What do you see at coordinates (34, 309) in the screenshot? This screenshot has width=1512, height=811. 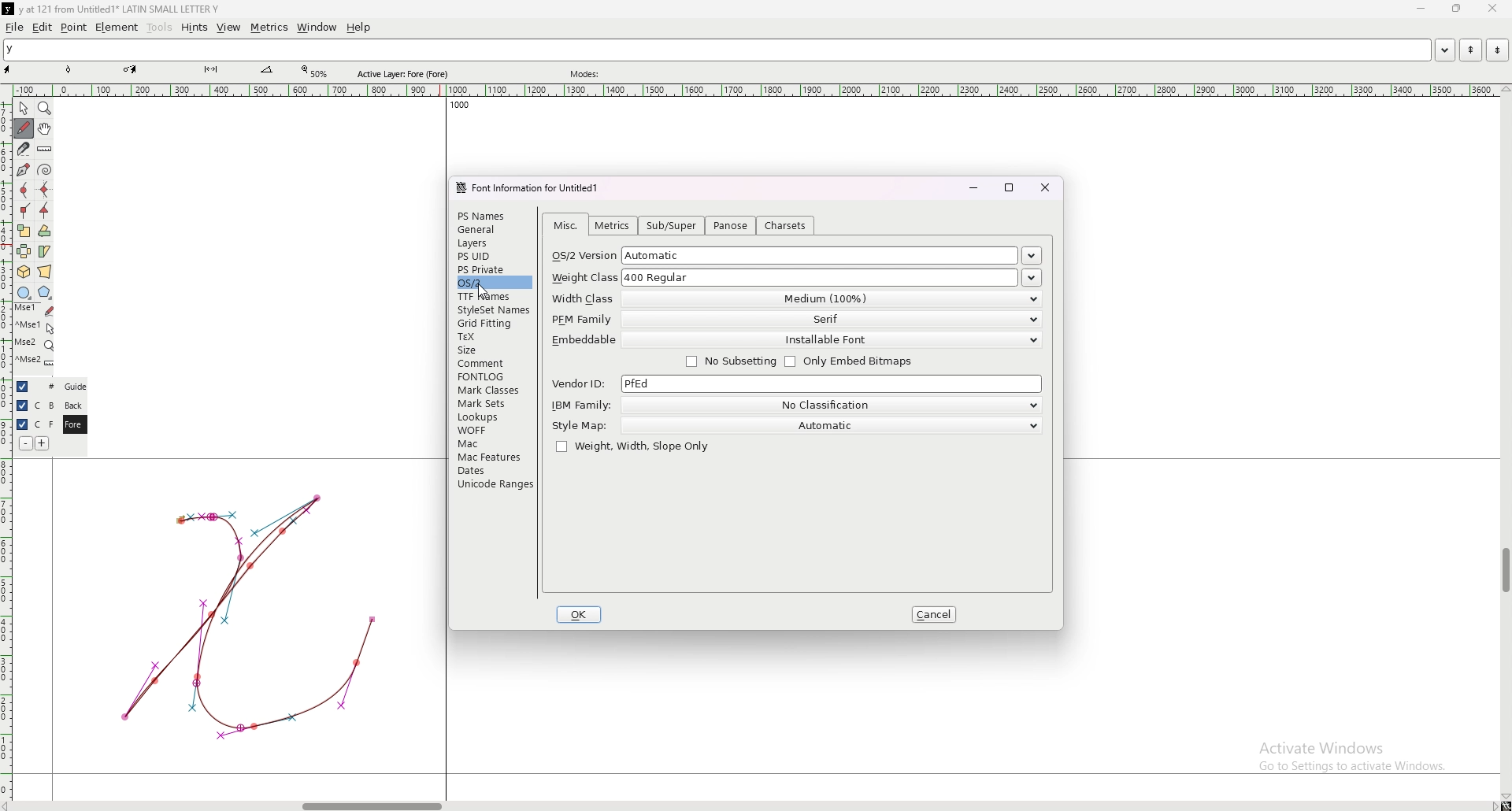 I see `mse 1` at bounding box center [34, 309].